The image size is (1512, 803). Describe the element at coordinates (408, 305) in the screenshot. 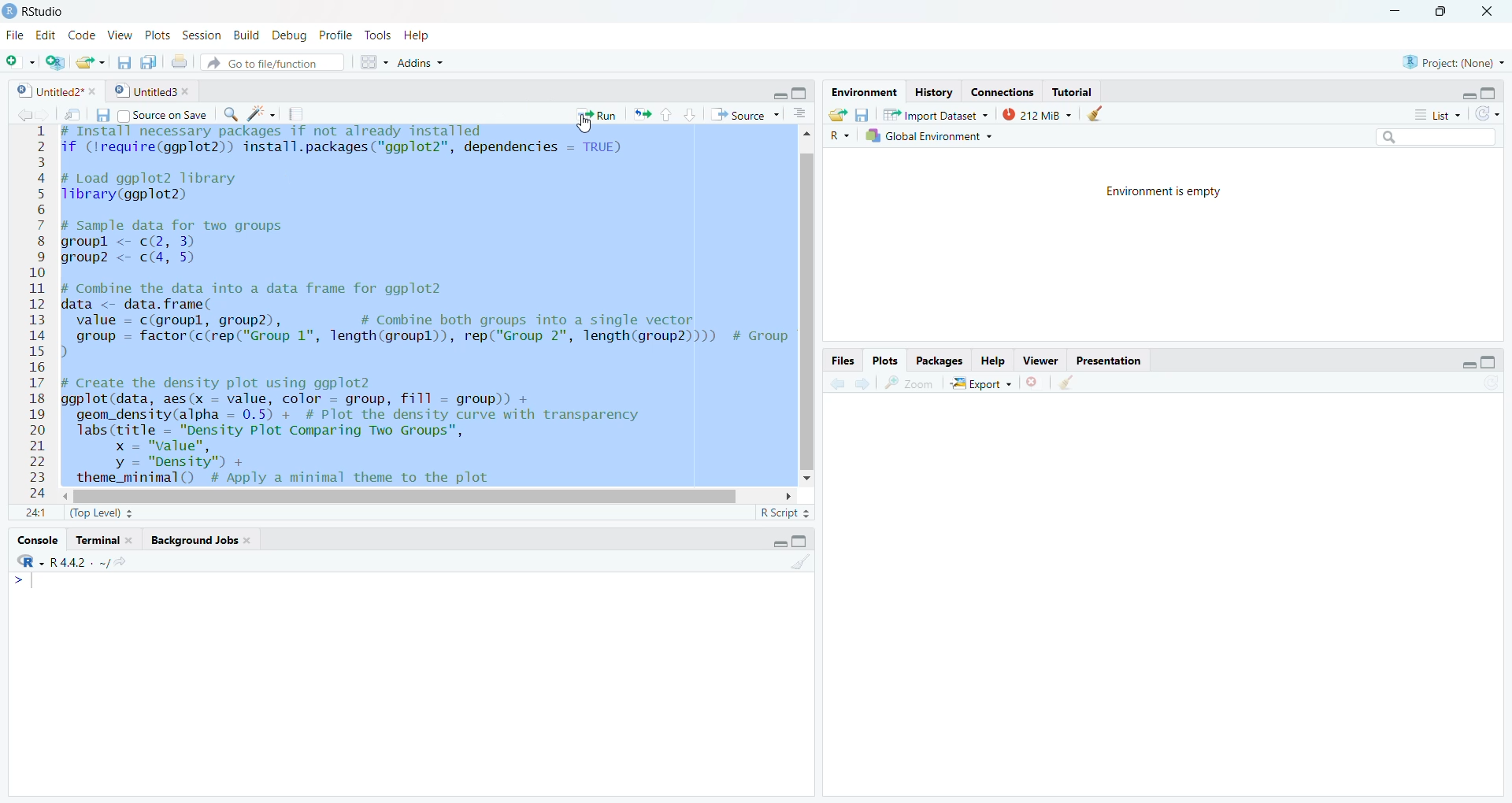

I see `f (lrequire(ggplot2)) install.packages ("ggplot2", dependencies = TRUE)
Load ggplot2 library
ibrary(ggplot2) 1
Sample data for two groups
roupl <- c(2, 3)
roup2 <- c(4, 5)
Combine the data into a data frame for ggplot2
ata <- data. frame(
value = c(groupl, group2), # Combine both groups into a single vector
group = factor (c(rep("Group 1", Tength(groupl)), rep("Group 2", Tength(group2)))) # Group
Create the density plot using ggplot2
gplot (data, aes(x = value, color = group, fill = group)) +
geom_density(alpha = 0.5) + # Plot the density curve with transparency
labs (title = "Density Plot Comparing Two Groups",
x = "value",
y = "Density") +
theme_minimal() # Apply a minimal theme to the plot` at that location.